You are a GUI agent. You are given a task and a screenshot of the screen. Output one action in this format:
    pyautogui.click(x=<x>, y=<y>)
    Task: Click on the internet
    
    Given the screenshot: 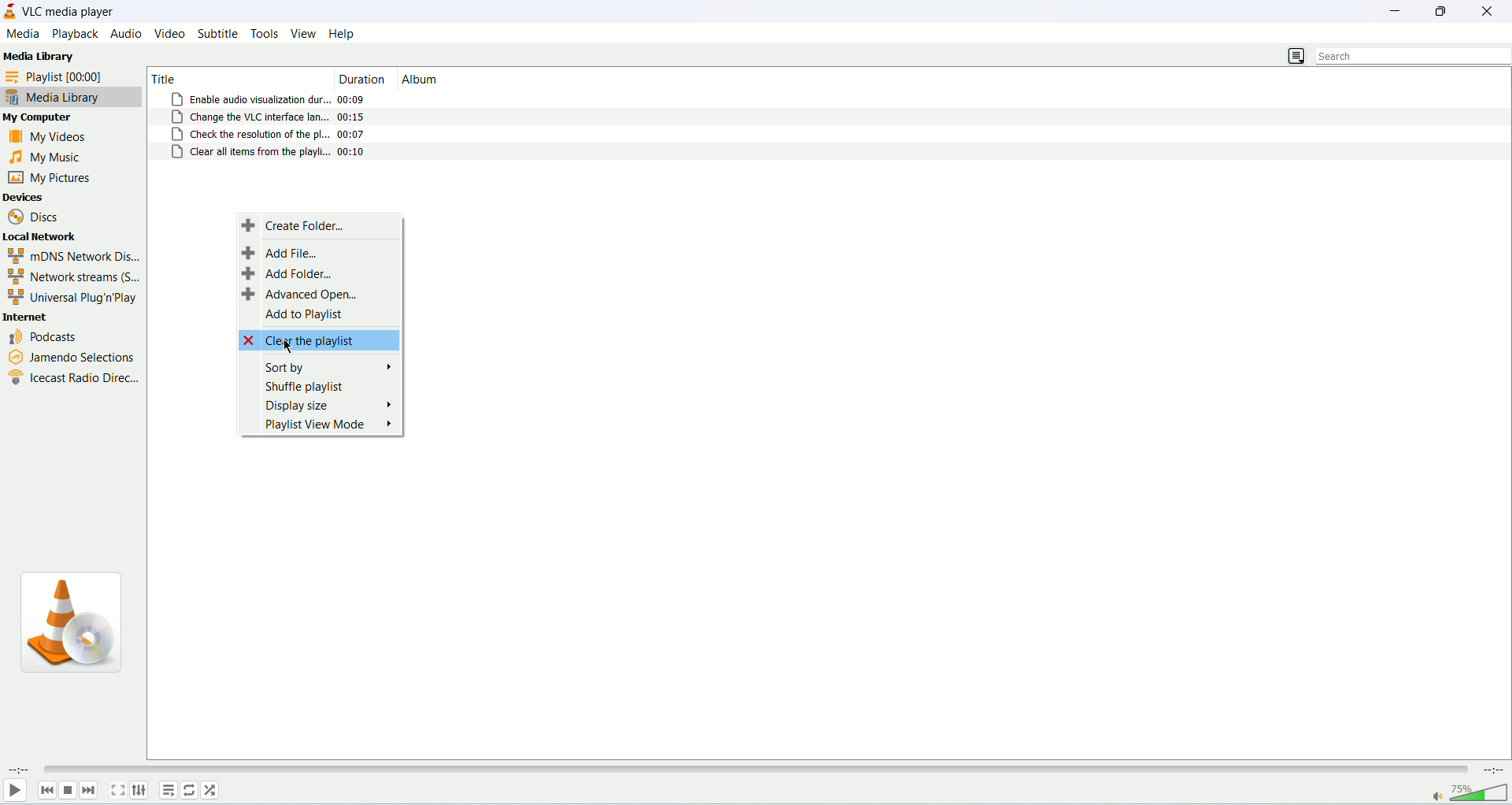 What is the action you would take?
    pyautogui.click(x=27, y=317)
    